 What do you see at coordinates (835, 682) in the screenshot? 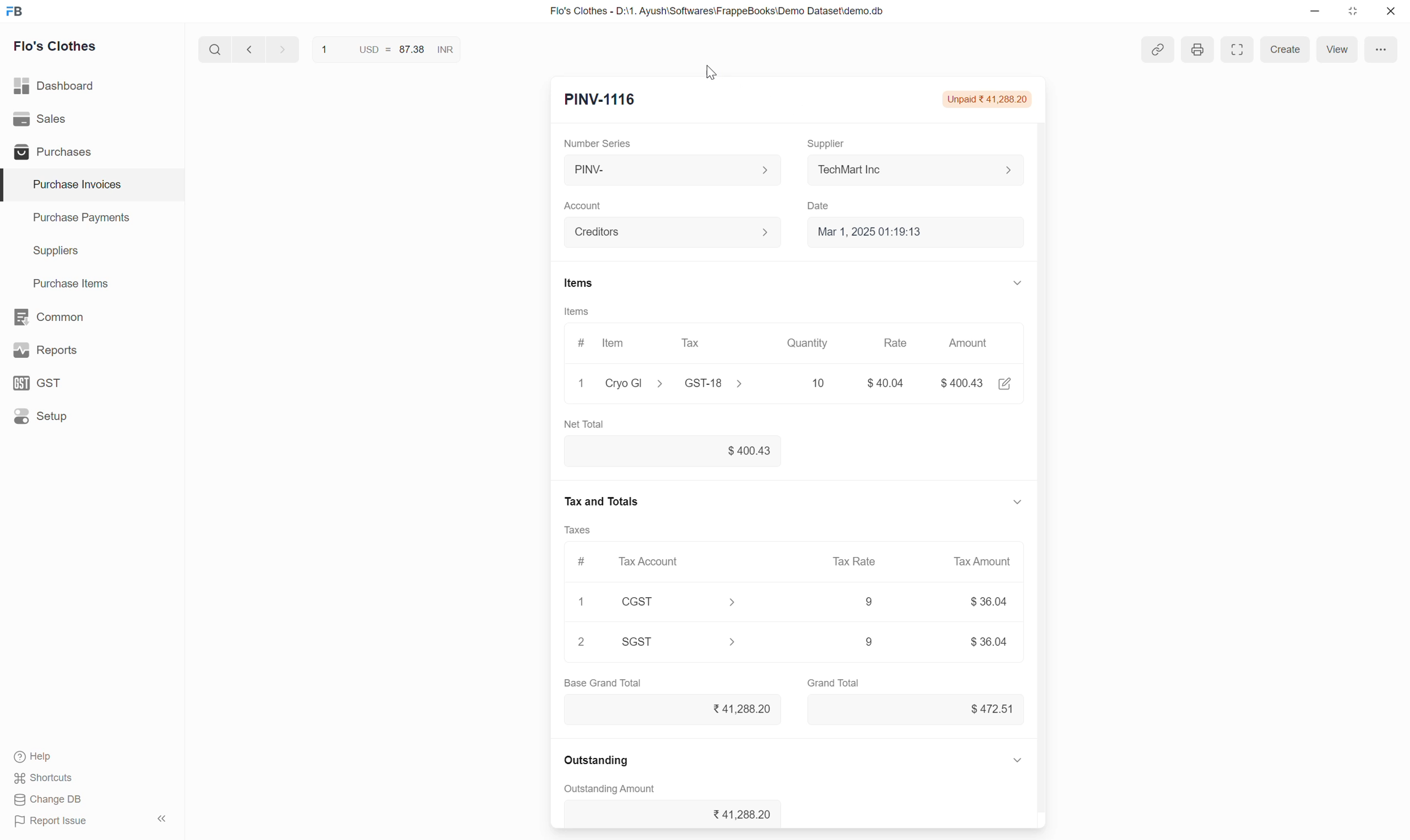
I see `Grand Total` at bounding box center [835, 682].